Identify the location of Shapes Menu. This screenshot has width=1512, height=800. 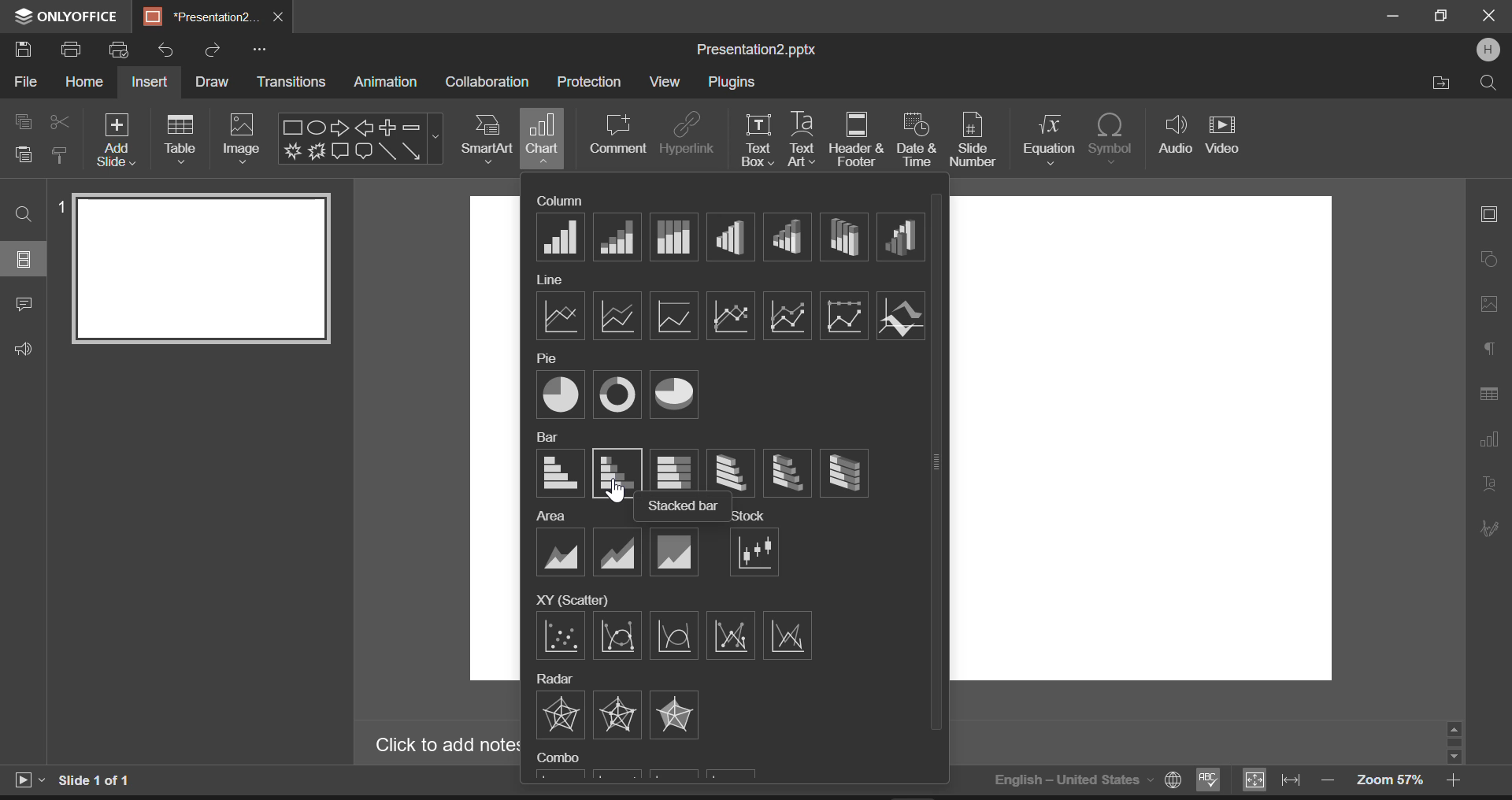
(435, 138).